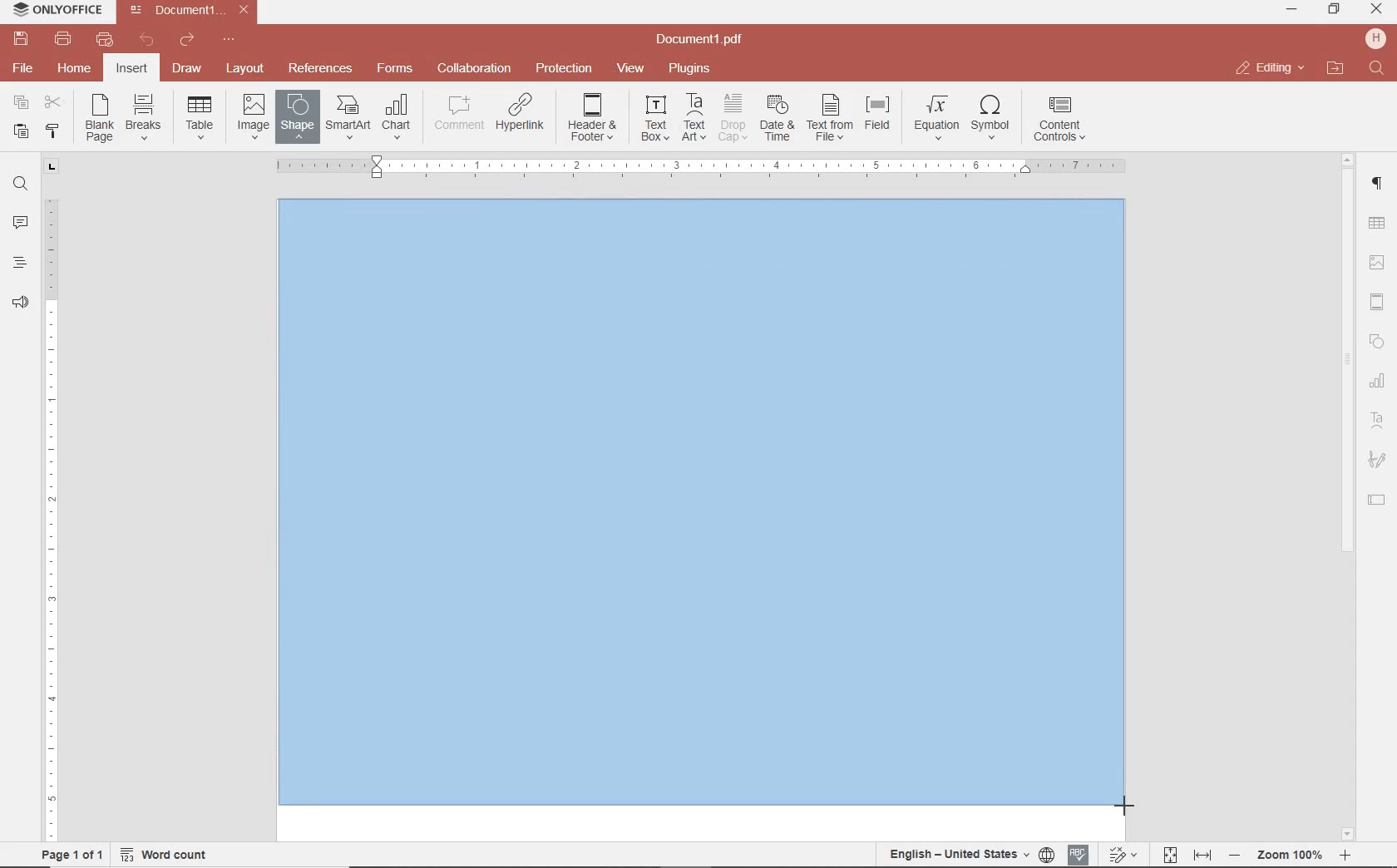 Image resolution: width=1397 pixels, height=868 pixels. What do you see at coordinates (1293, 9) in the screenshot?
I see `minimize` at bounding box center [1293, 9].